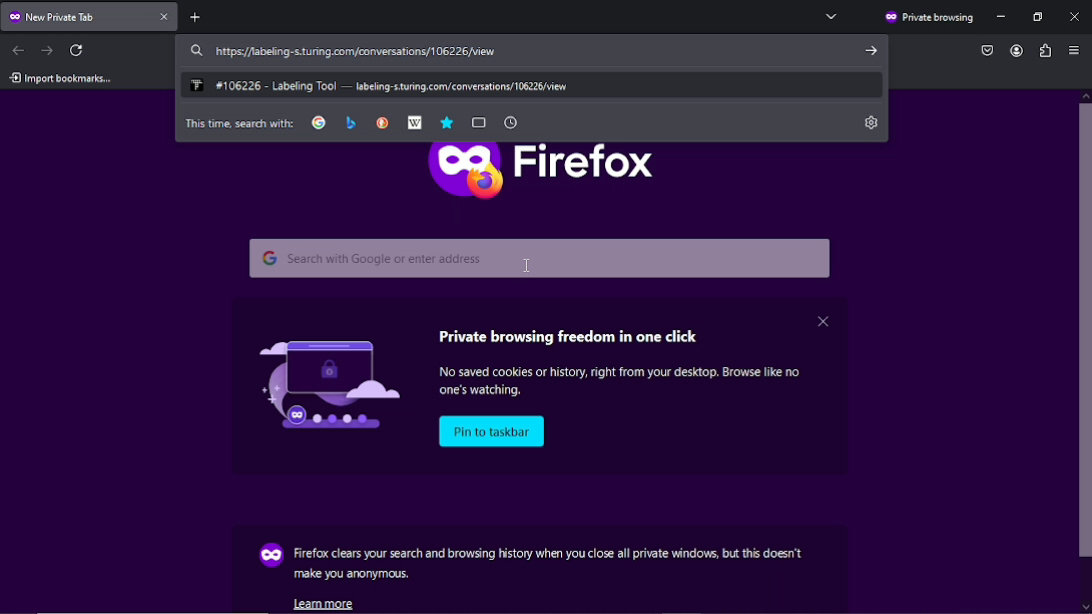 The width and height of the screenshot is (1092, 614). Describe the element at coordinates (353, 575) in the screenshot. I see `make you anonymous.` at that location.